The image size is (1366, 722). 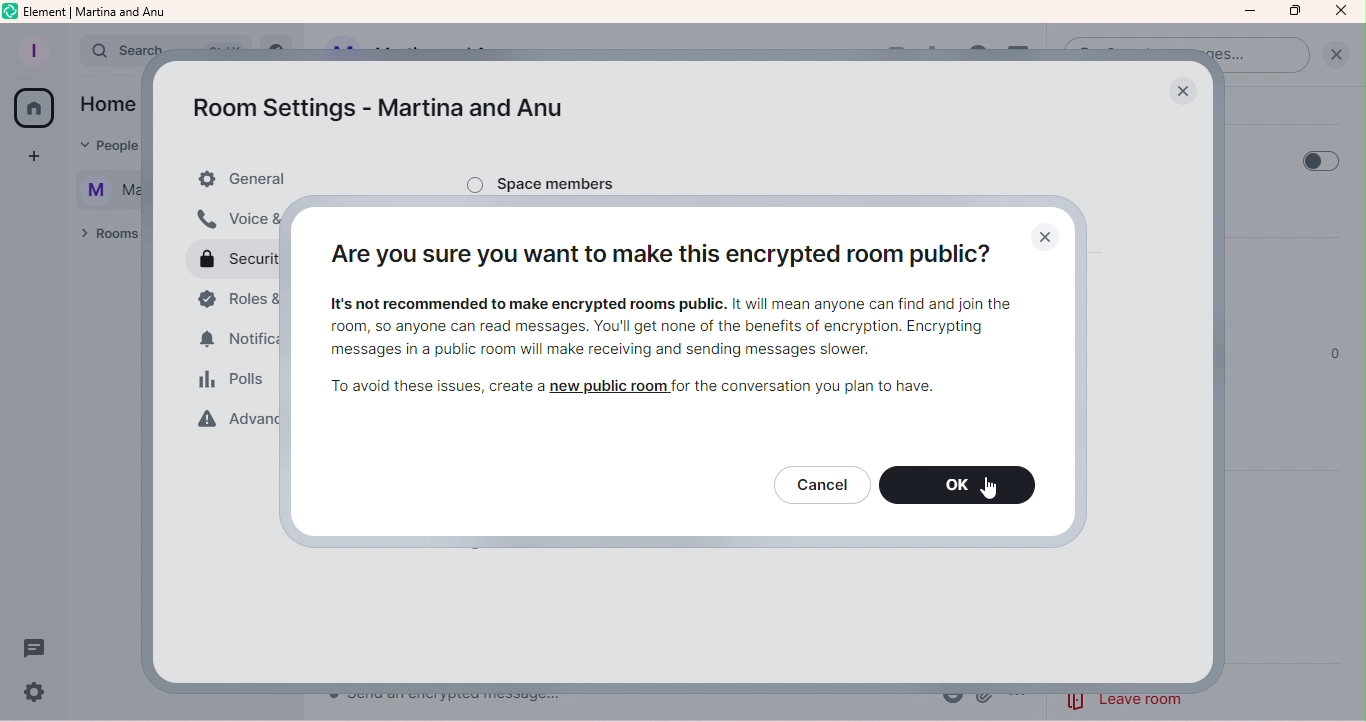 What do you see at coordinates (32, 52) in the screenshot?
I see `Profile` at bounding box center [32, 52].